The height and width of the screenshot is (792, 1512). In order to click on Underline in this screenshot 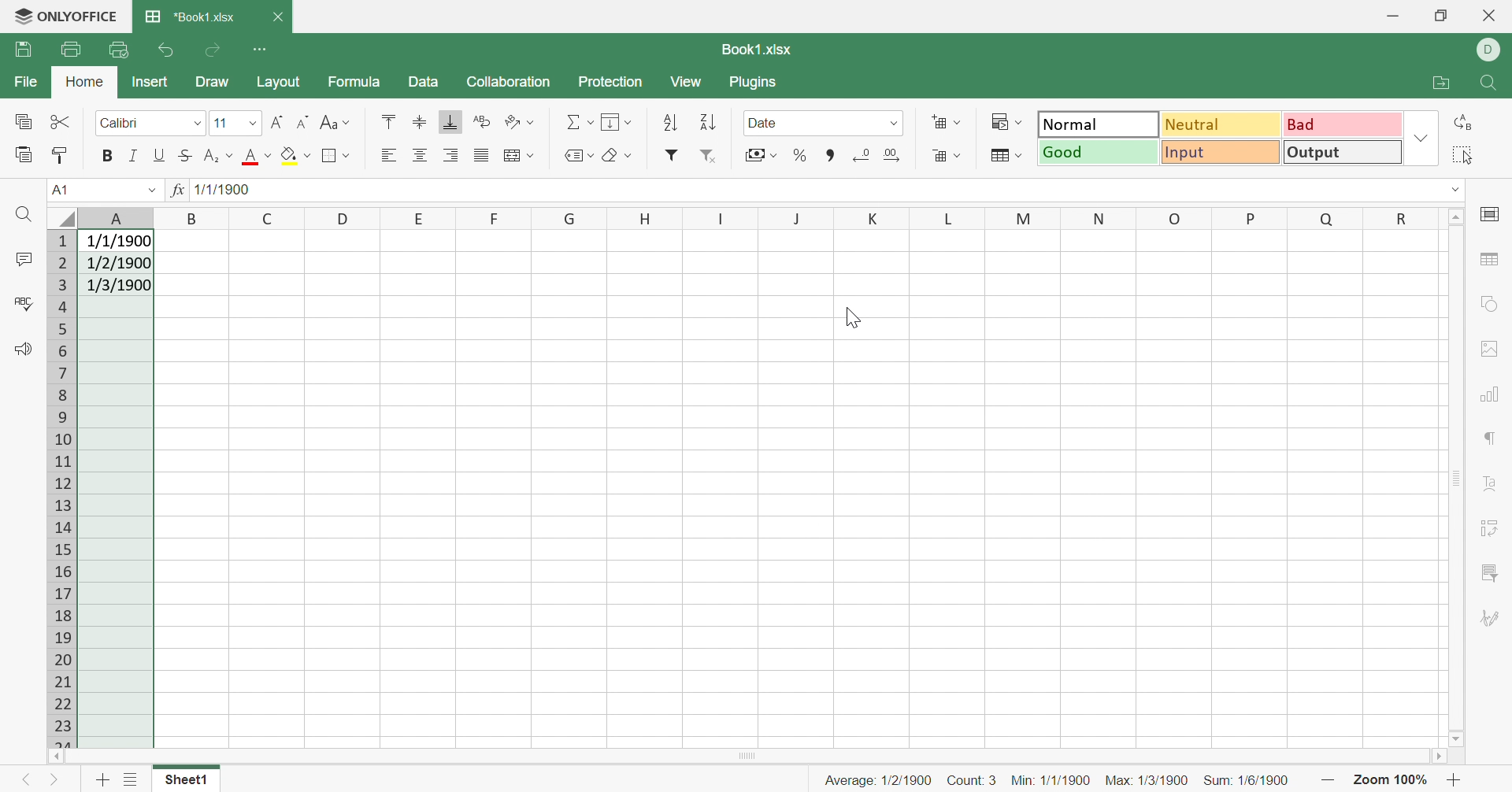, I will do `click(160, 156)`.